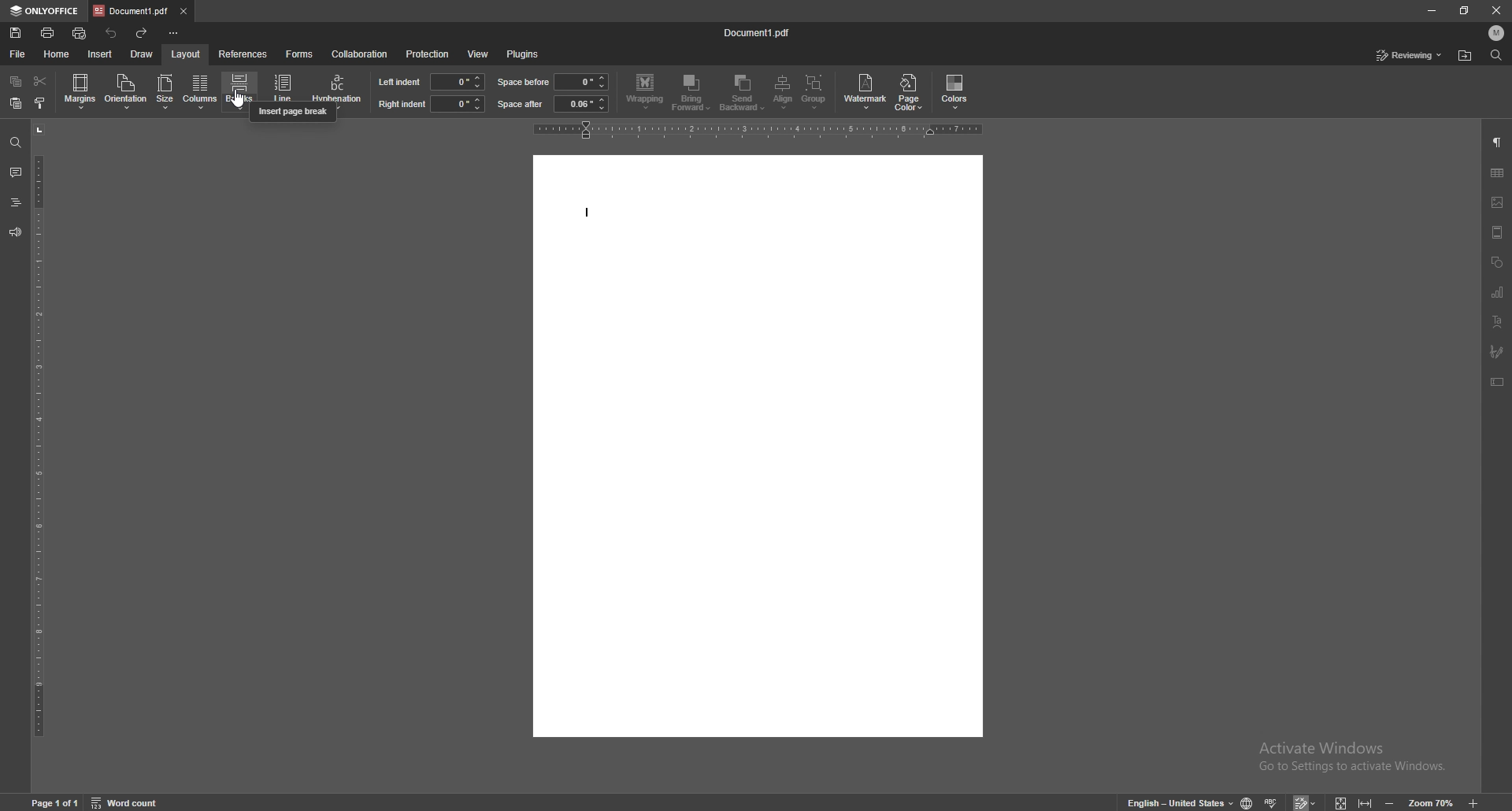  What do you see at coordinates (428, 54) in the screenshot?
I see `protection` at bounding box center [428, 54].